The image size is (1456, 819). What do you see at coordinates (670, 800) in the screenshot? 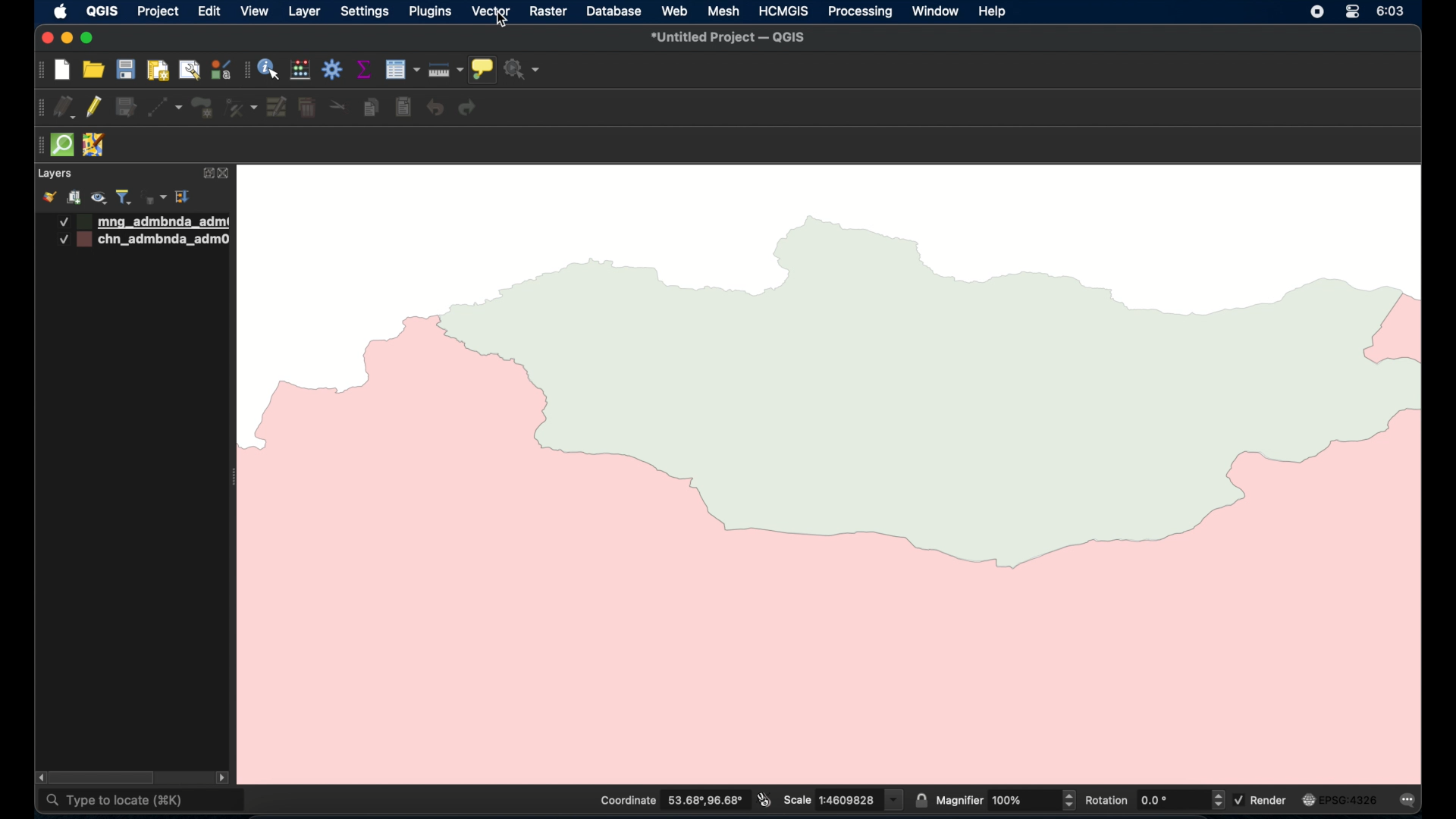
I see `coordinate` at bounding box center [670, 800].